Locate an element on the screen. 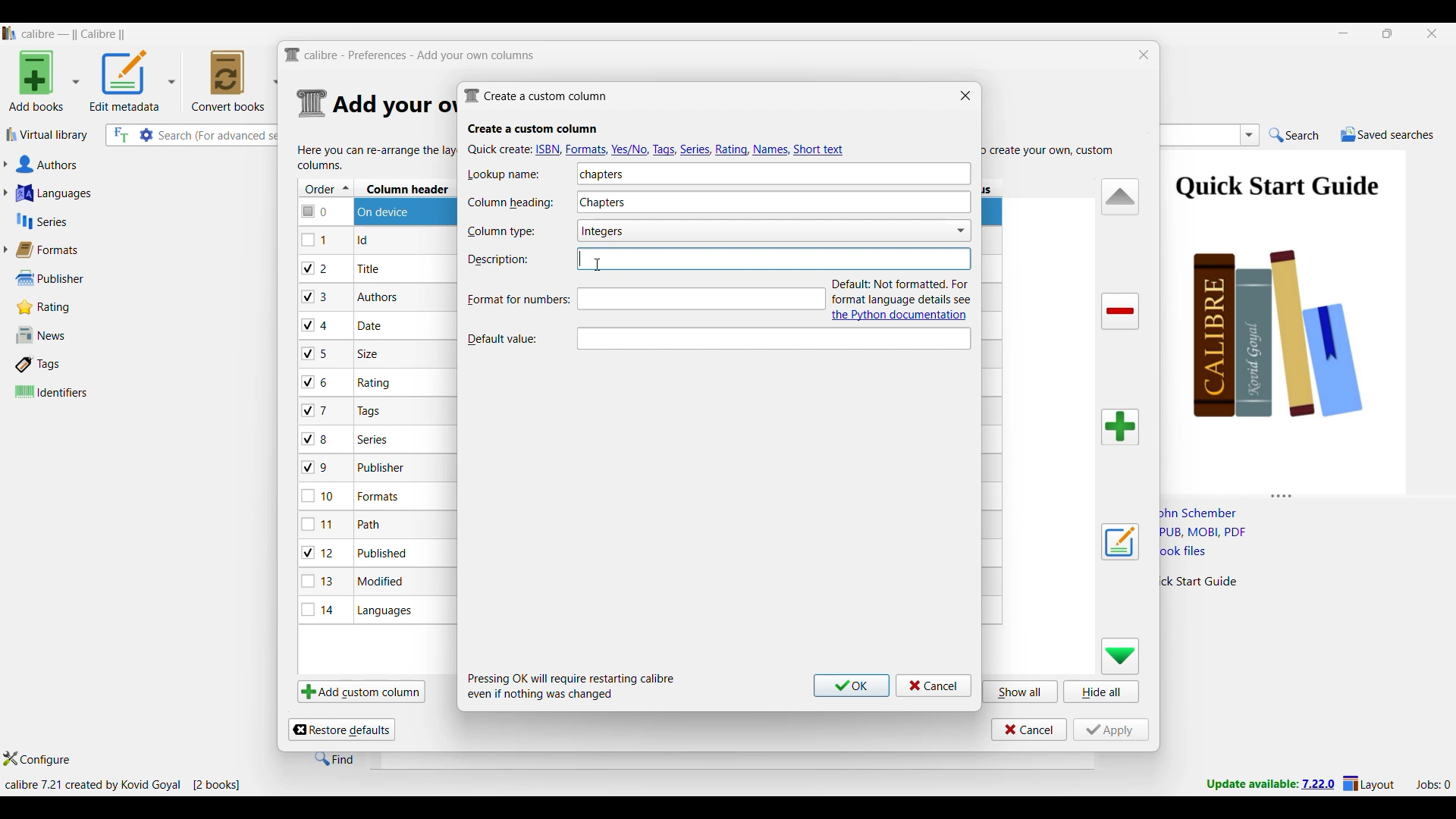 This screenshot has height=819, width=1456. checkbox - 14 is located at coordinates (318, 609).